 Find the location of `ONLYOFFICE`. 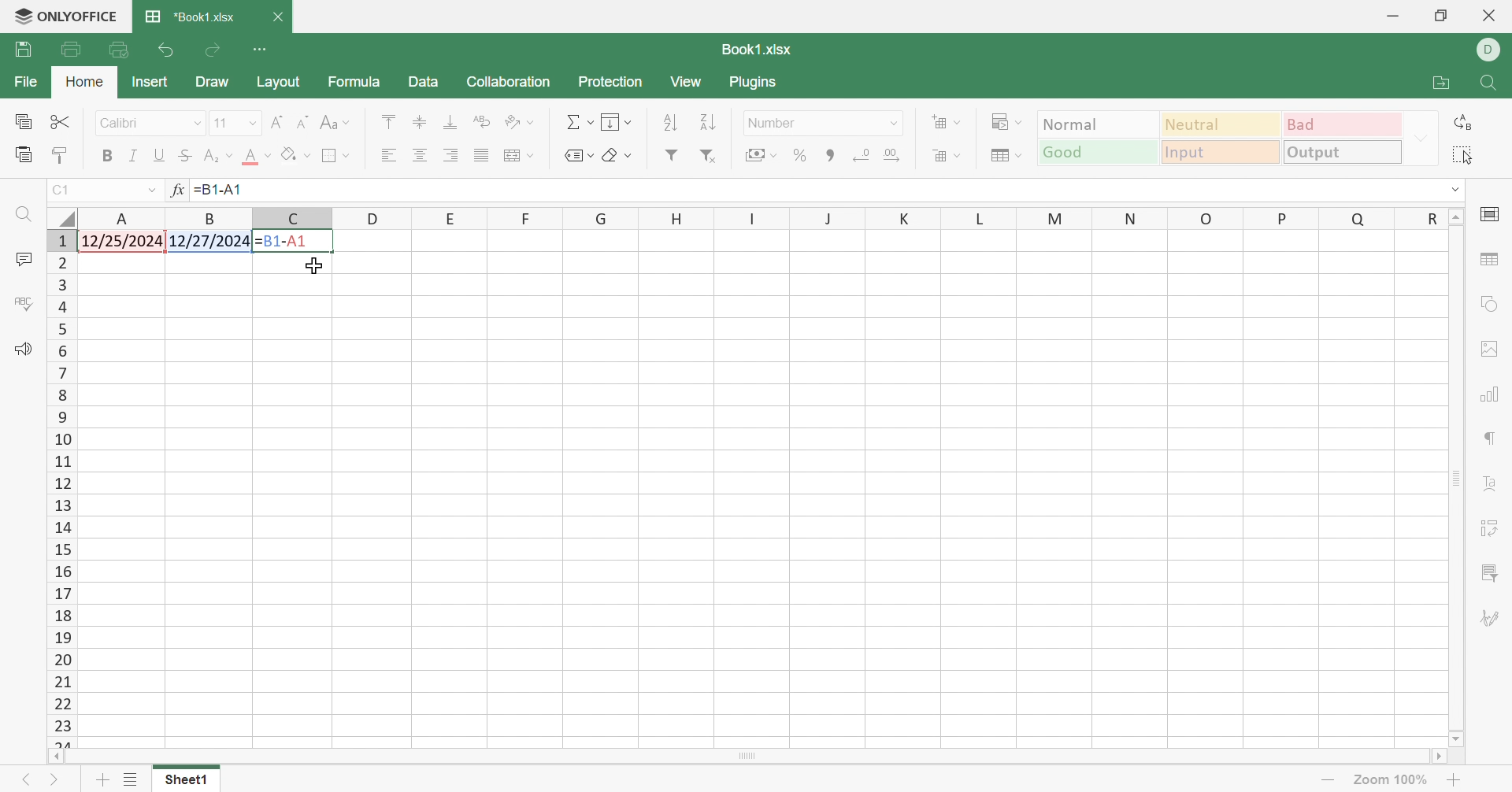

ONLYOFFICE is located at coordinates (62, 19).